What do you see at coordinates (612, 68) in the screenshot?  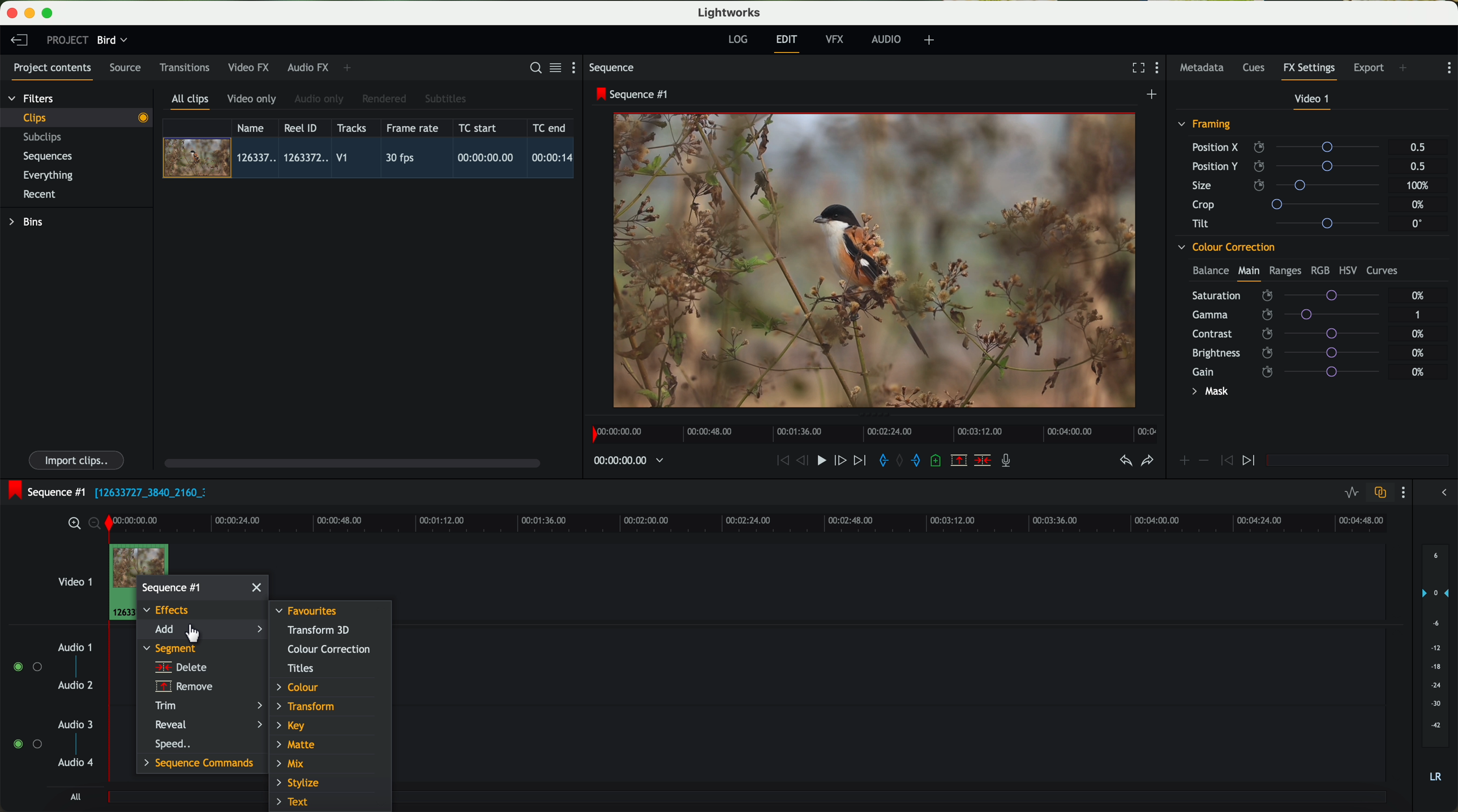 I see `sequence` at bounding box center [612, 68].